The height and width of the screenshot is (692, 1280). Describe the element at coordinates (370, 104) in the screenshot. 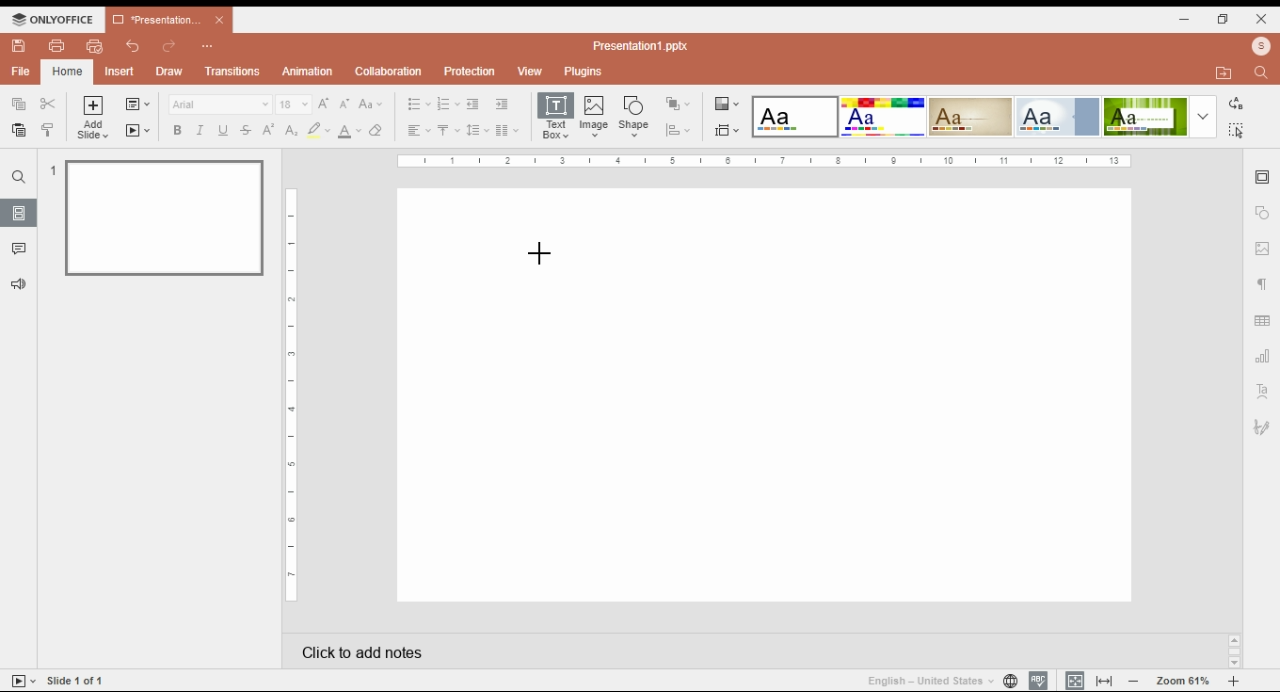

I see `change case` at that location.